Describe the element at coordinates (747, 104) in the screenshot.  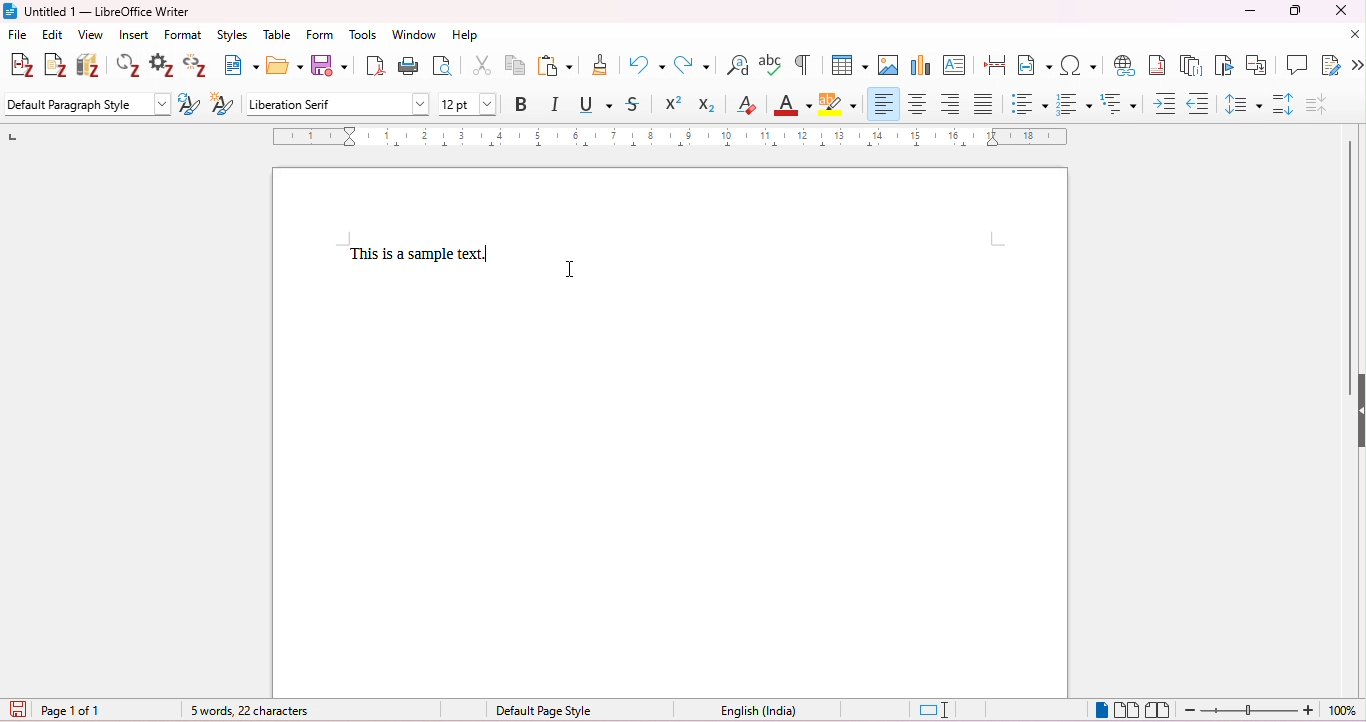
I see `clear direct formatting` at that location.